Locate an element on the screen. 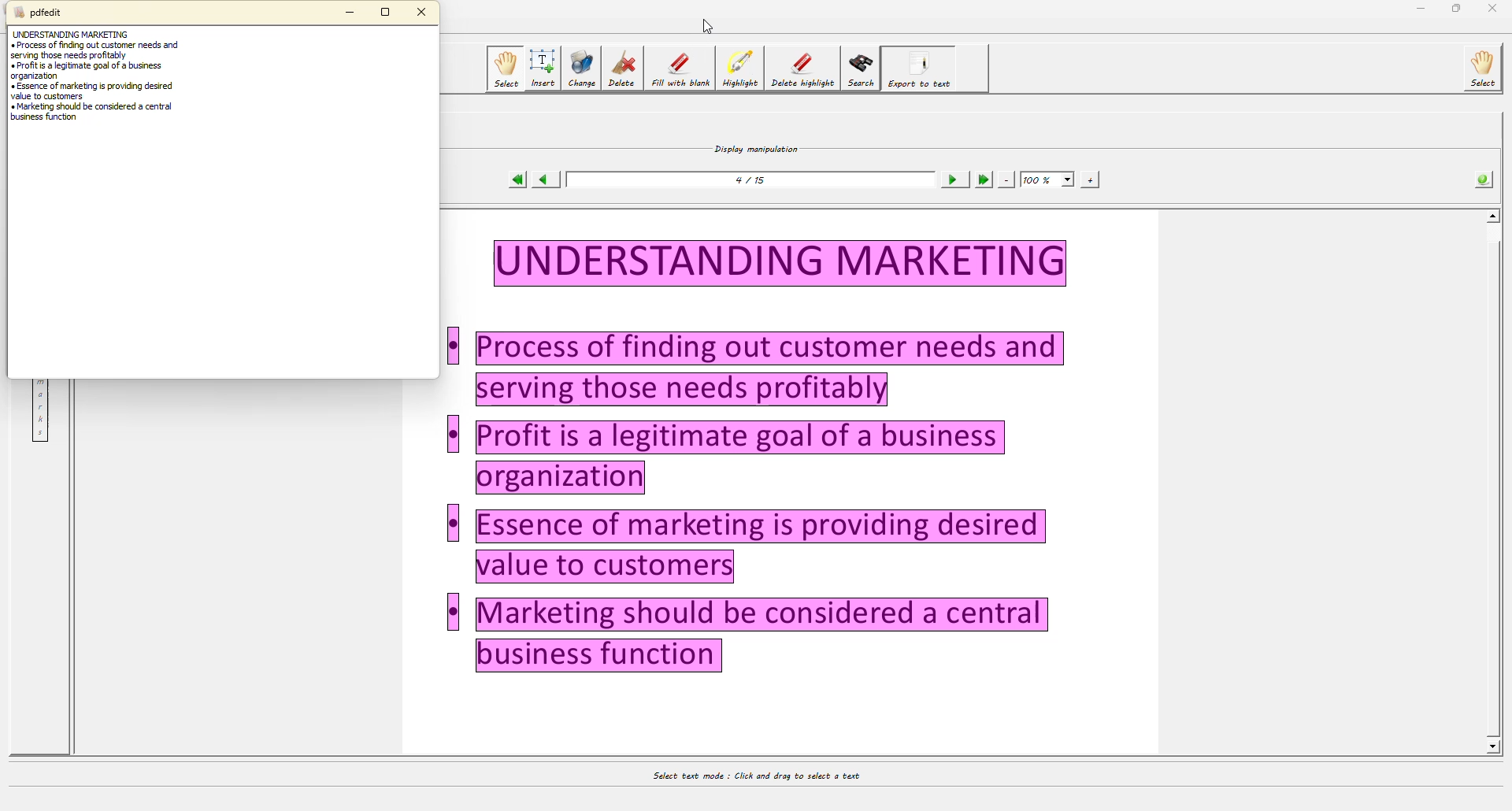  change is located at coordinates (581, 69).